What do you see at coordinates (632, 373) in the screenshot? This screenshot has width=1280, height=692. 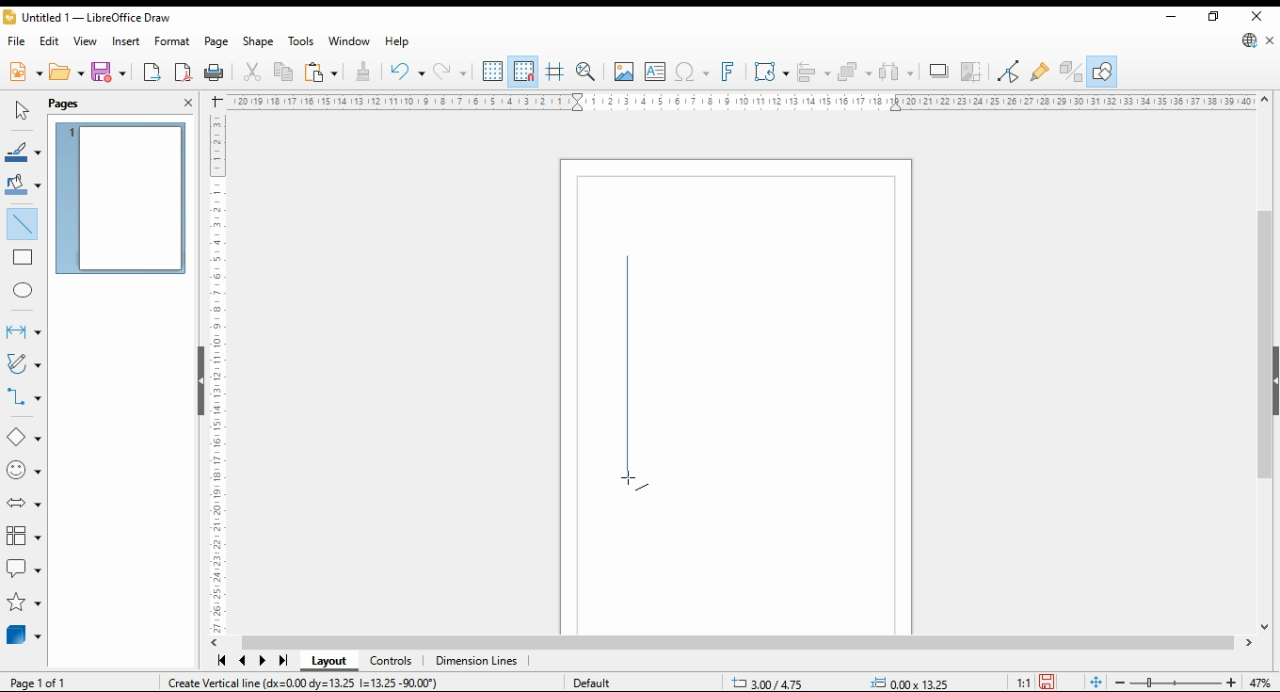 I see `new shape - line` at bounding box center [632, 373].